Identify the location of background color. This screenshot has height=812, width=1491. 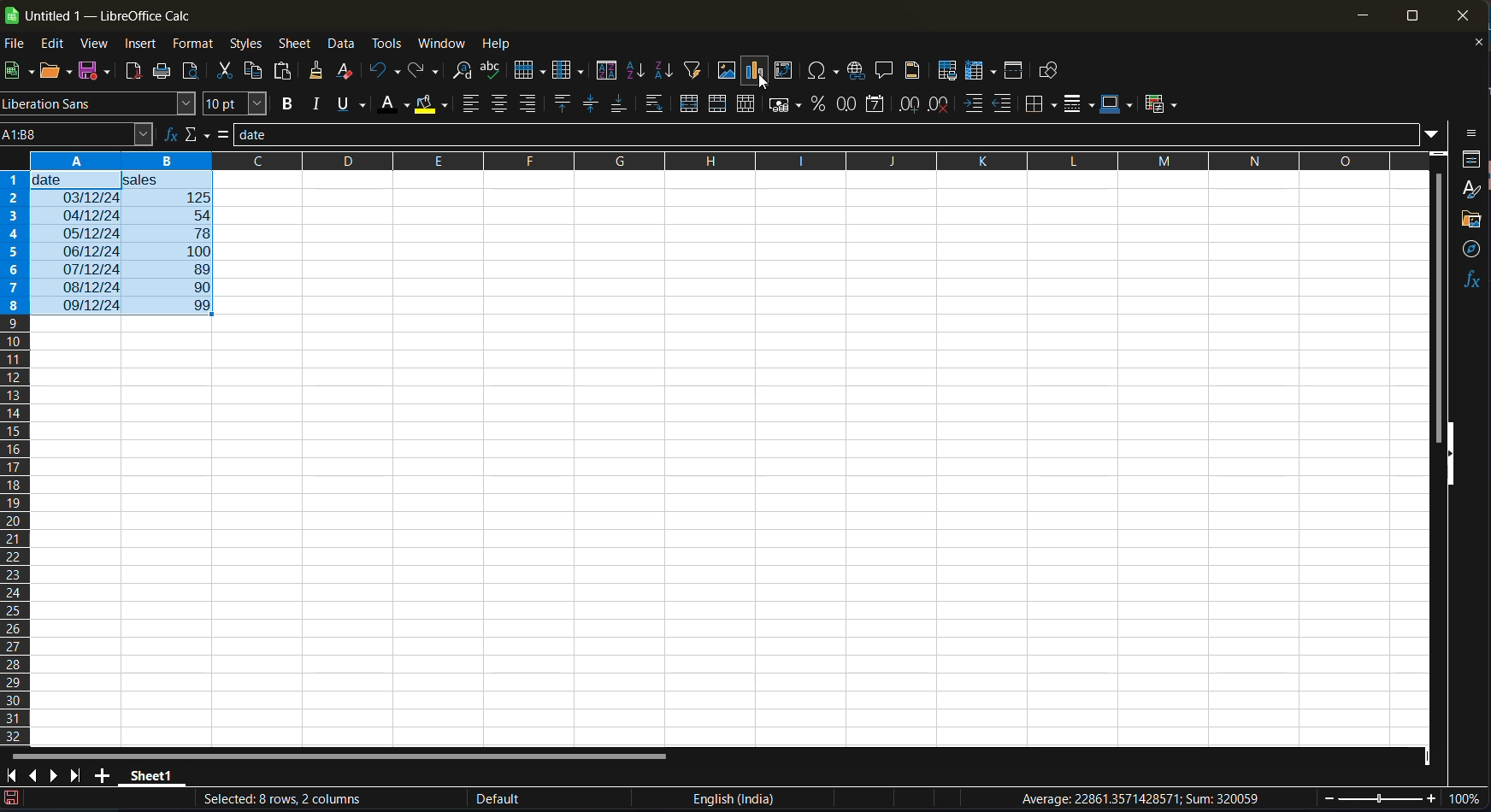
(432, 106).